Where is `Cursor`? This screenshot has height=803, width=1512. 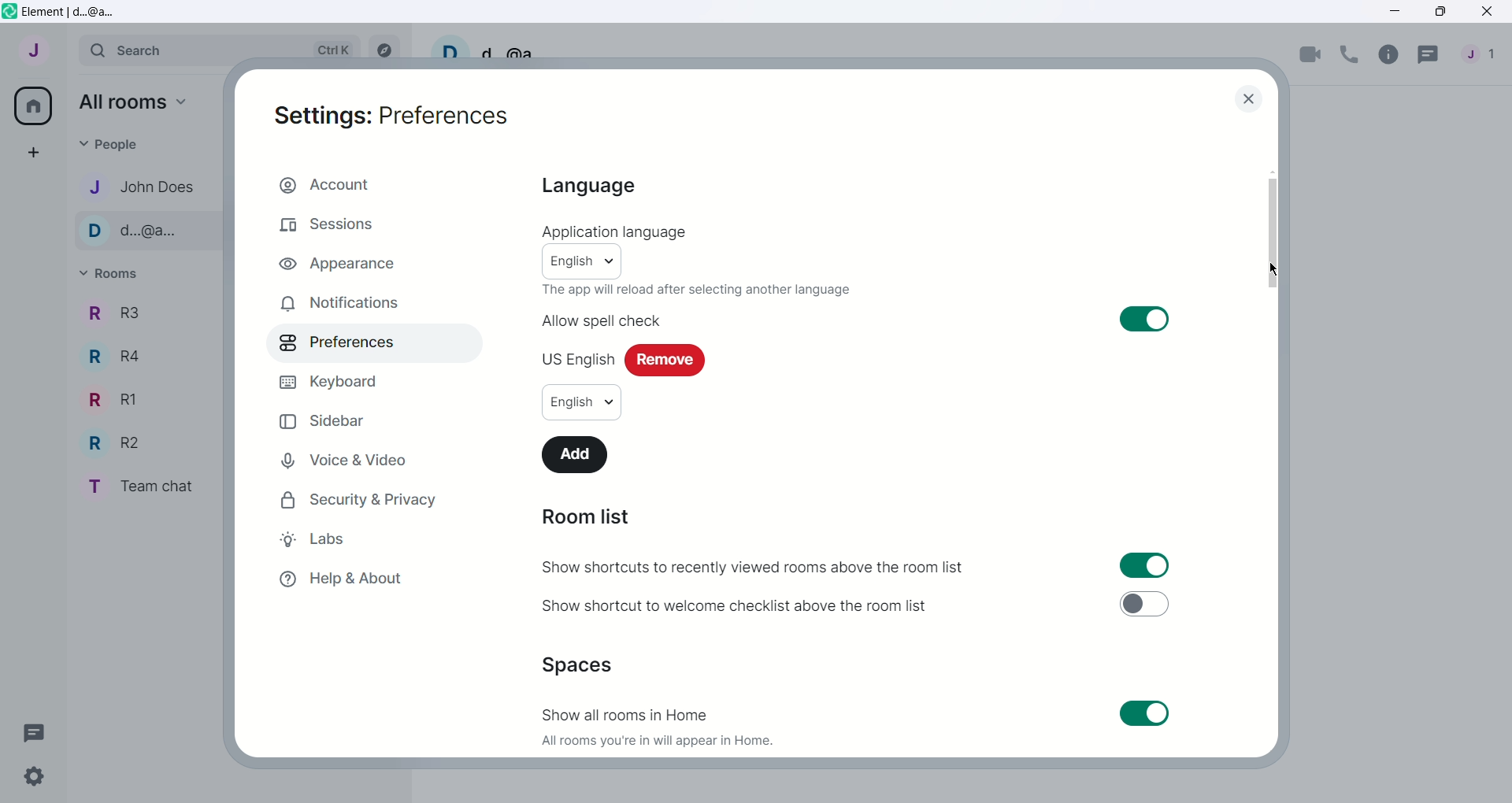 Cursor is located at coordinates (1273, 268).